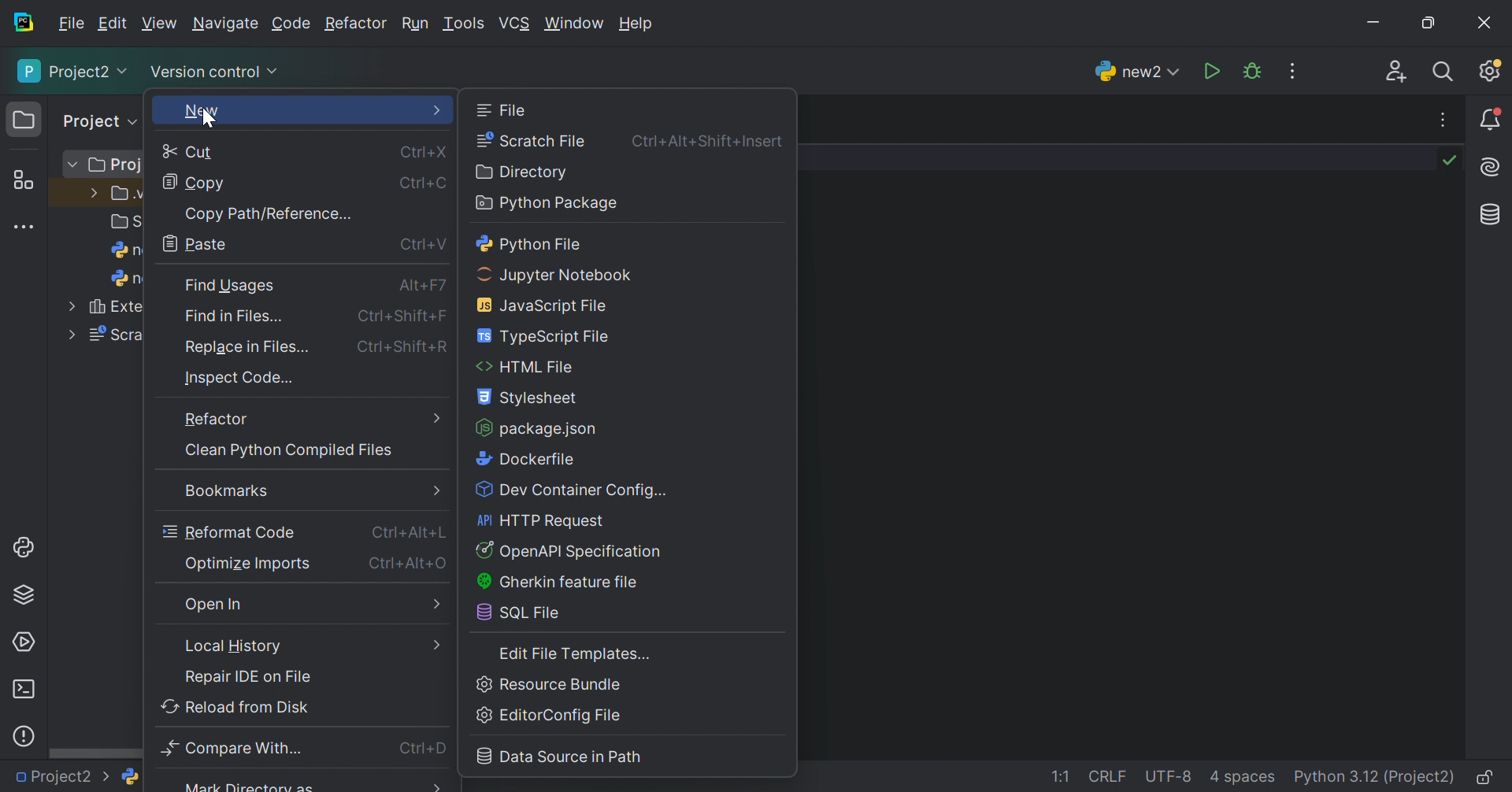  Describe the element at coordinates (24, 117) in the screenshot. I see `Project icon` at that location.